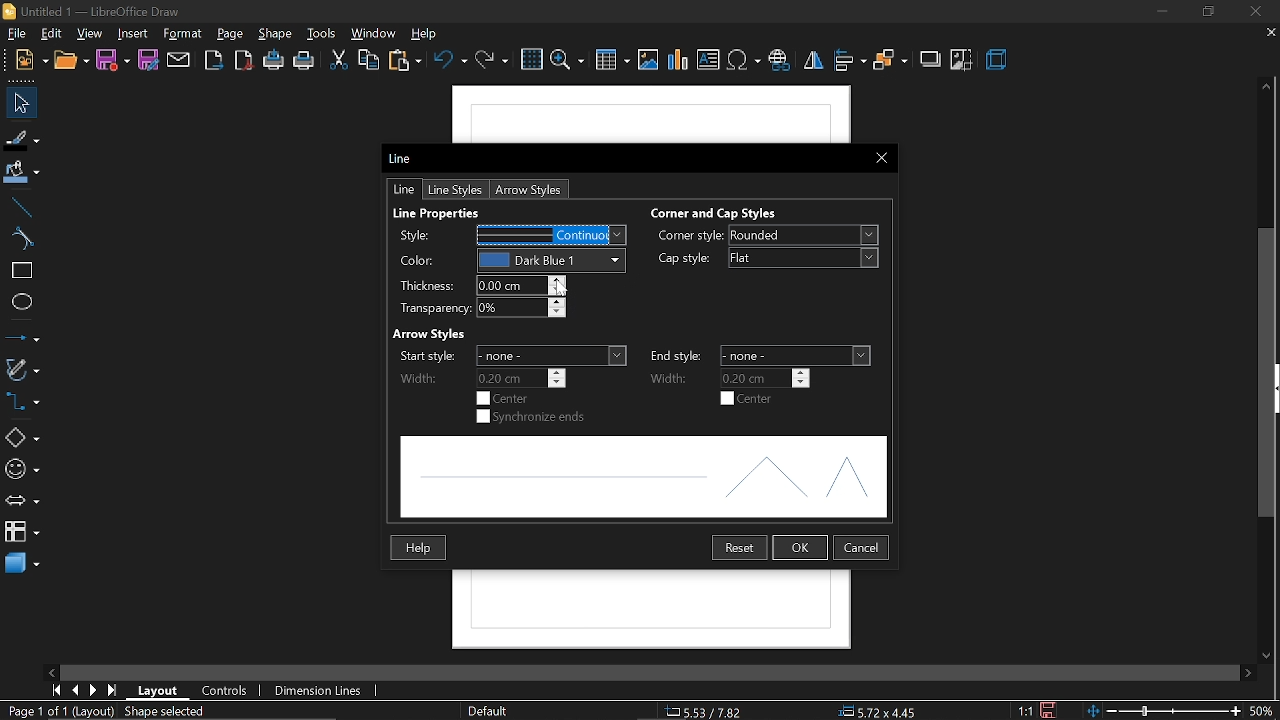  Describe the element at coordinates (19, 531) in the screenshot. I see `flowchart` at that location.